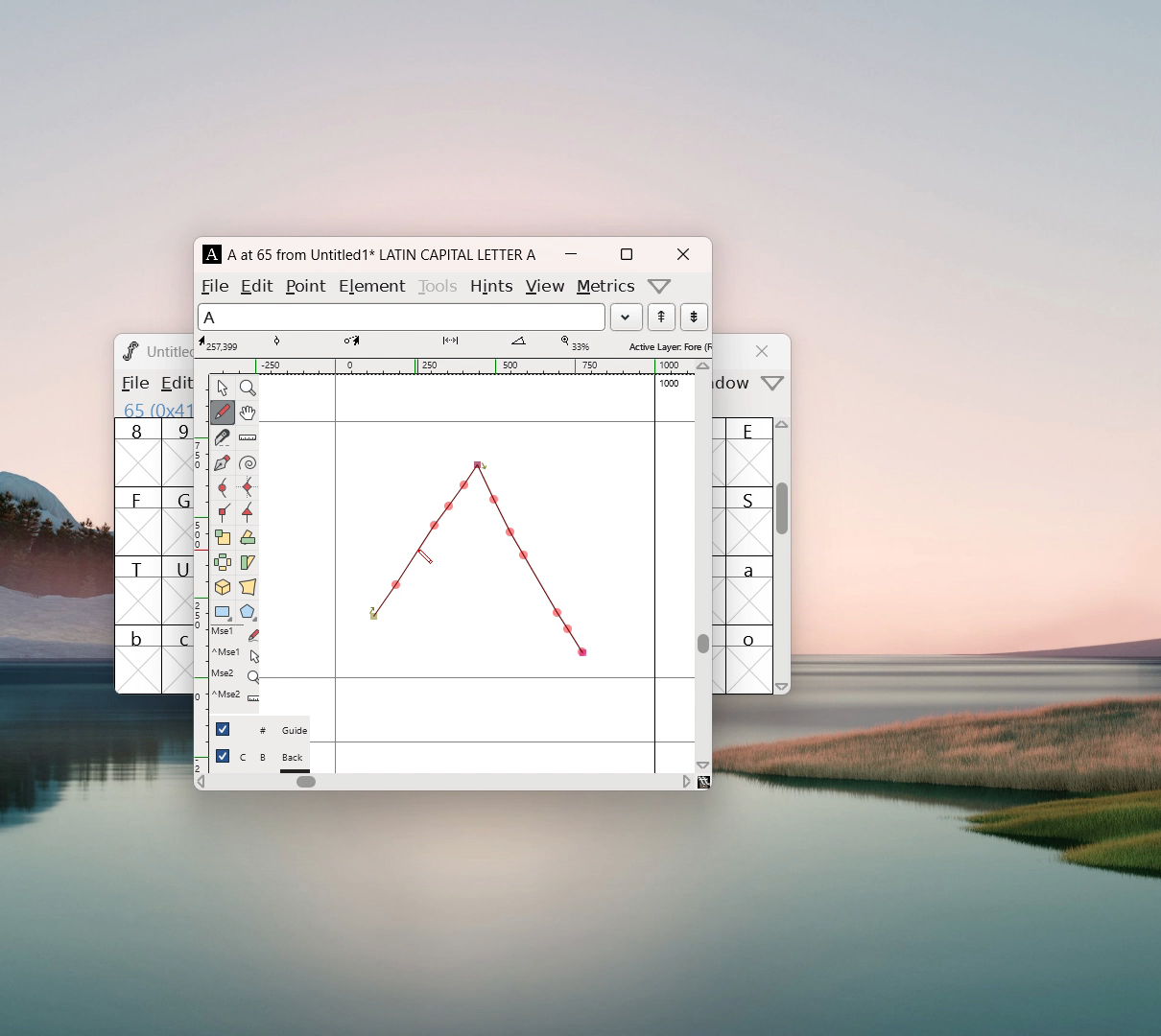 The height and width of the screenshot is (1036, 1161). What do you see at coordinates (704, 366) in the screenshot?
I see `scroll up` at bounding box center [704, 366].